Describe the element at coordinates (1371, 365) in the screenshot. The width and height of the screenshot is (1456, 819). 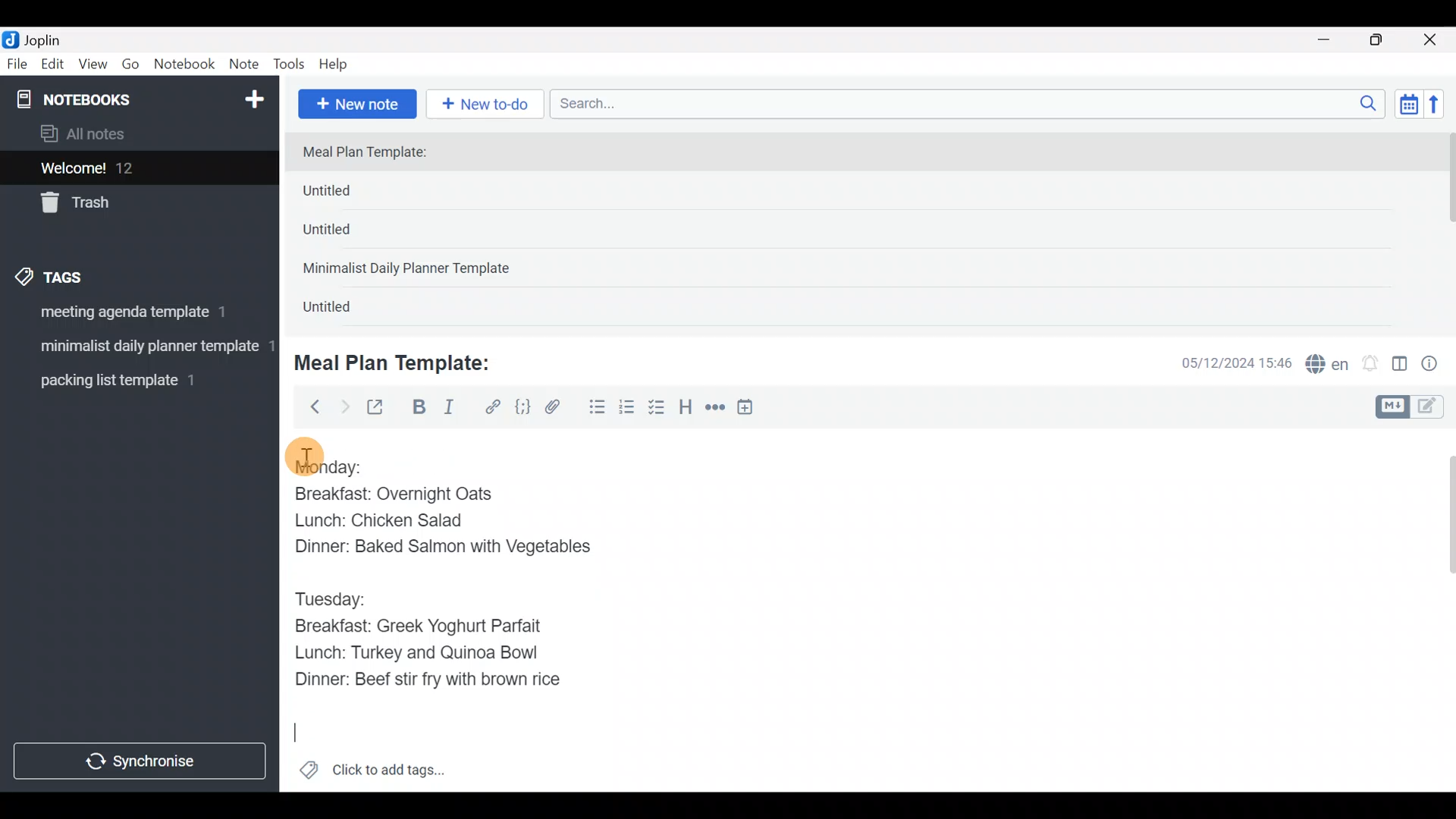
I see `Set alarm` at that location.